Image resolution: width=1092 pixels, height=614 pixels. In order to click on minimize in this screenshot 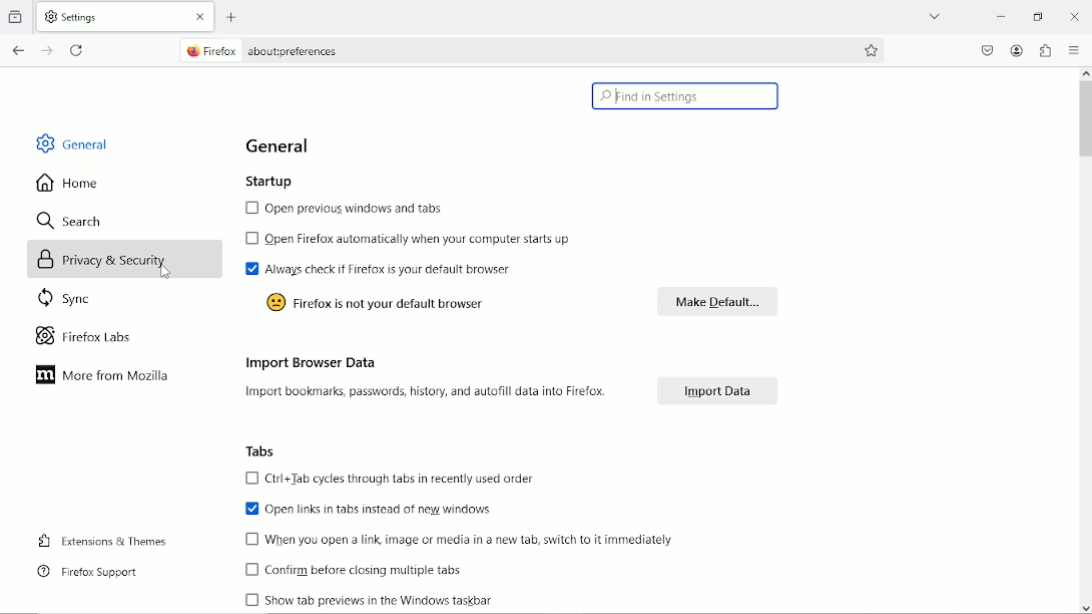, I will do `click(1002, 15)`.